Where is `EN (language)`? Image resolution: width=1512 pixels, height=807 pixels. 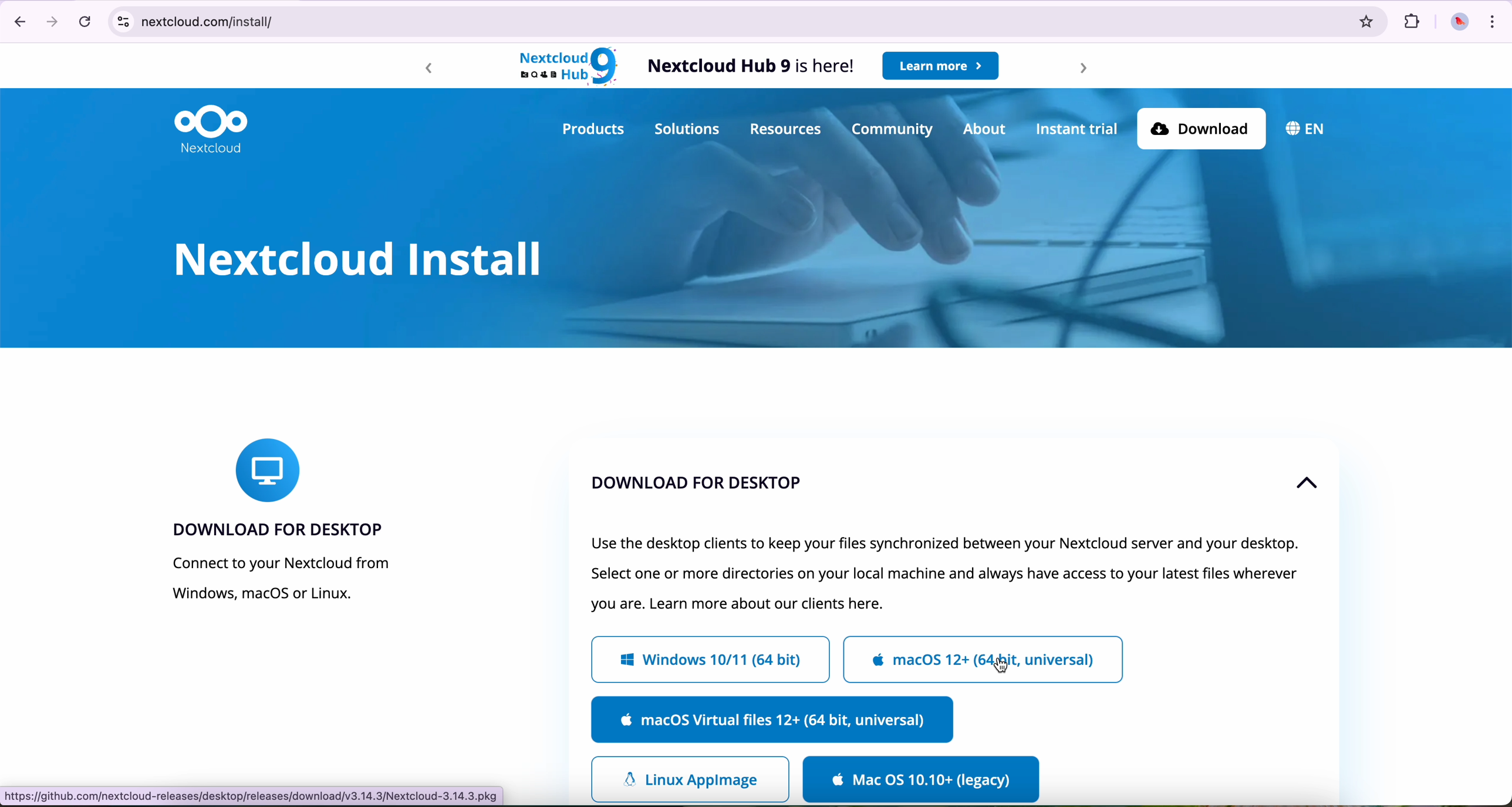 EN (language) is located at coordinates (1306, 131).